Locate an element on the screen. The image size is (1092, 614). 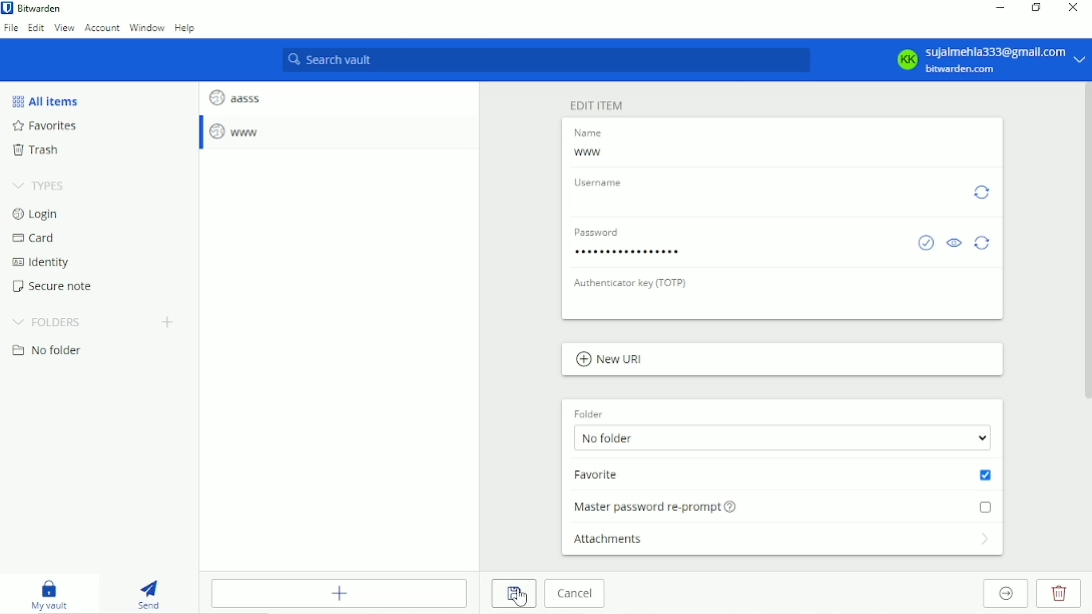
Create folder is located at coordinates (170, 322).